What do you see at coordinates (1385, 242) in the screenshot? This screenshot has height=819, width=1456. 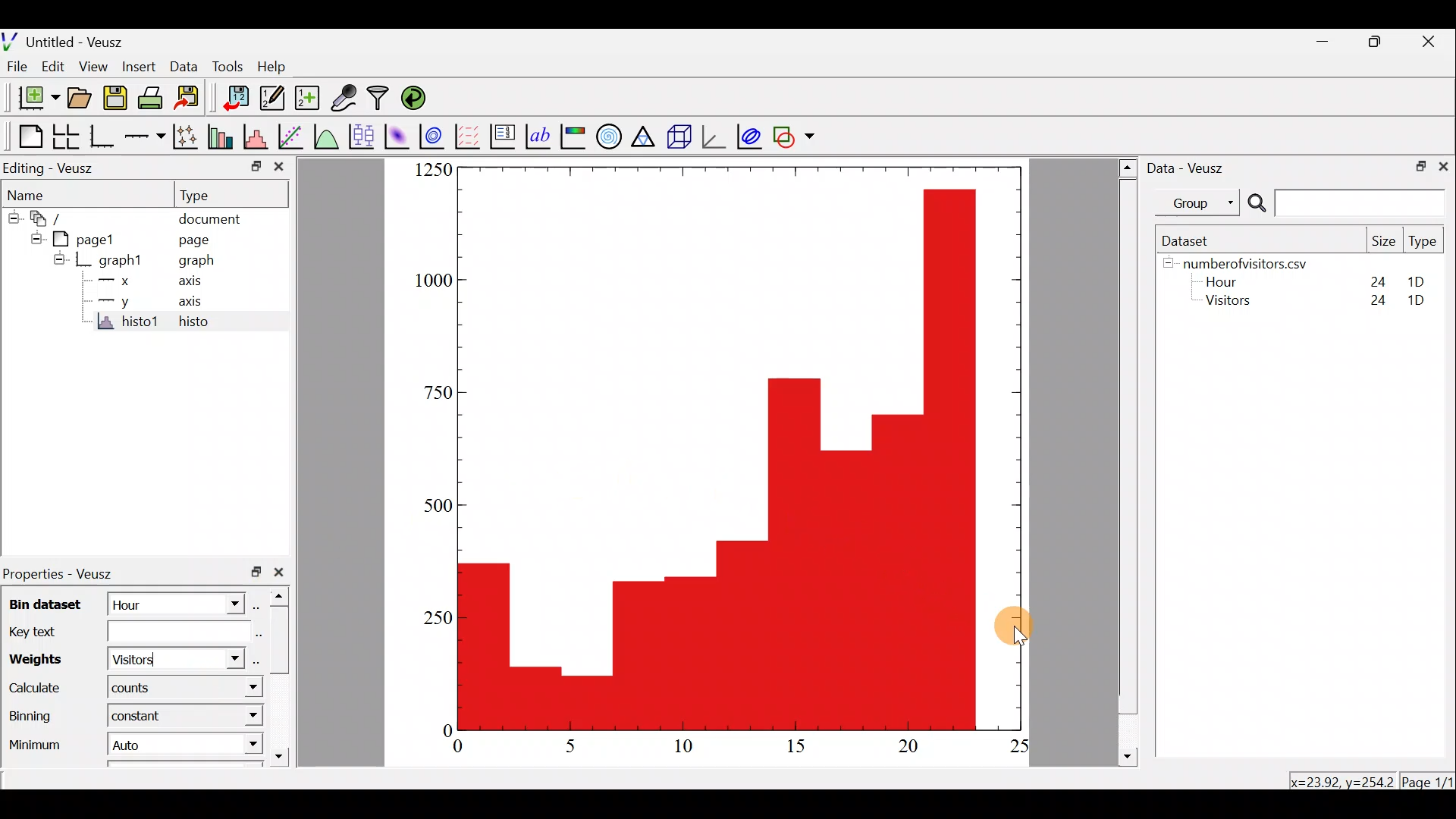 I see `Size` at bounding box center [1385, 242].